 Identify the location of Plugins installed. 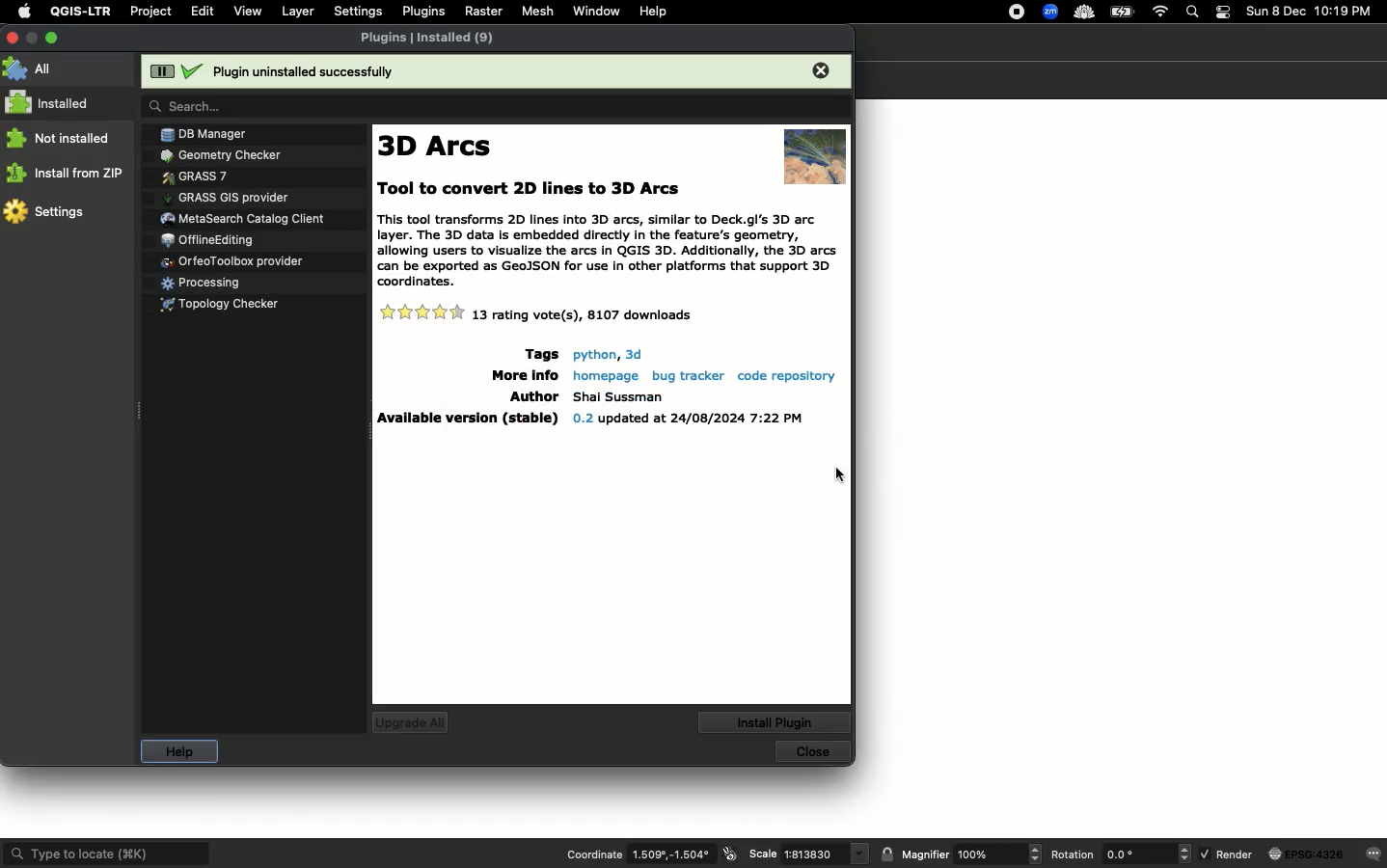
(430, 38).